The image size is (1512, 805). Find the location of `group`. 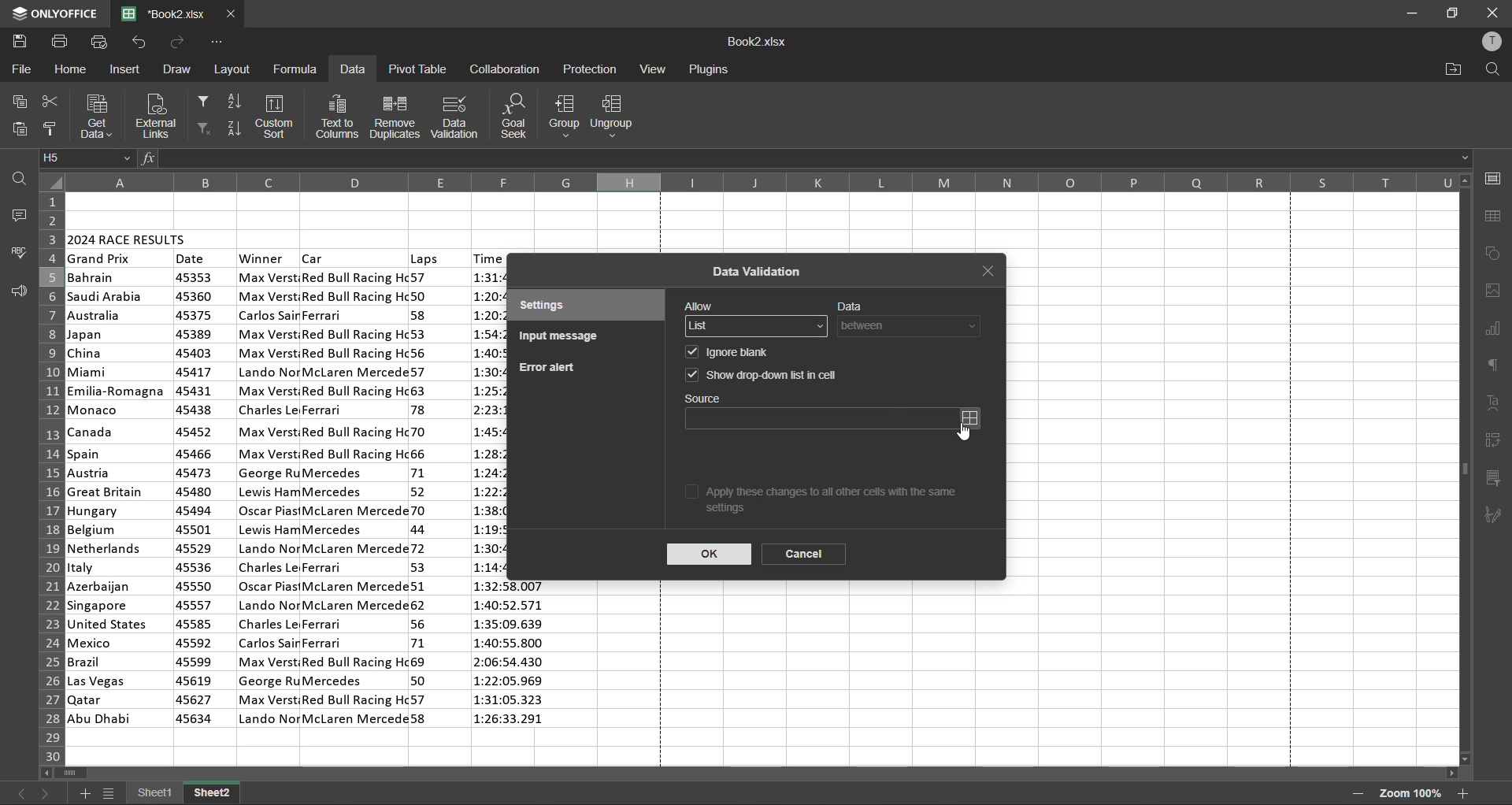

group is located at coordinates (563, 115).